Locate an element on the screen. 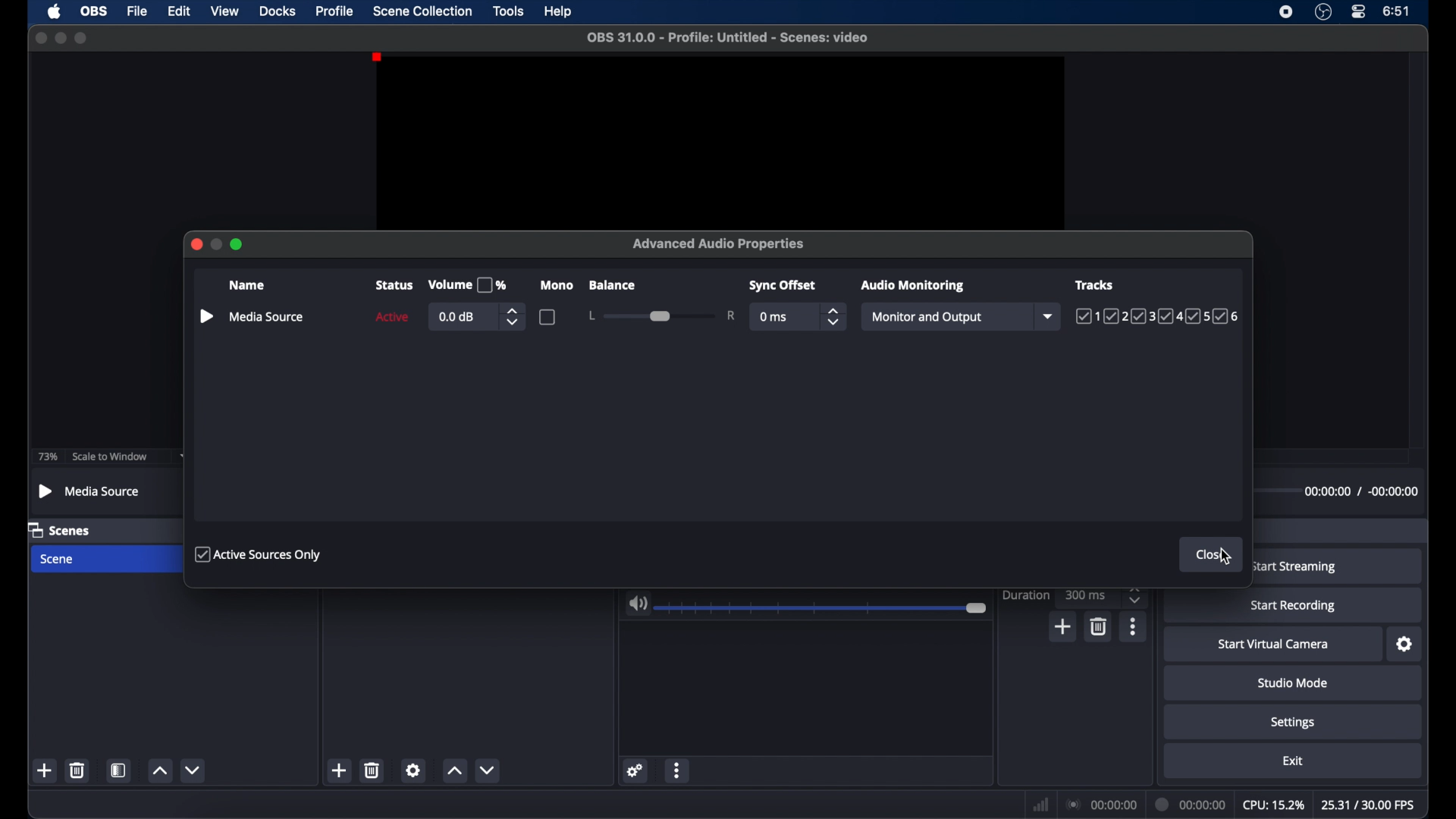 Image resolution: width=1456 pixels, height=819 pixels. add is located at coordinates (340, 770).